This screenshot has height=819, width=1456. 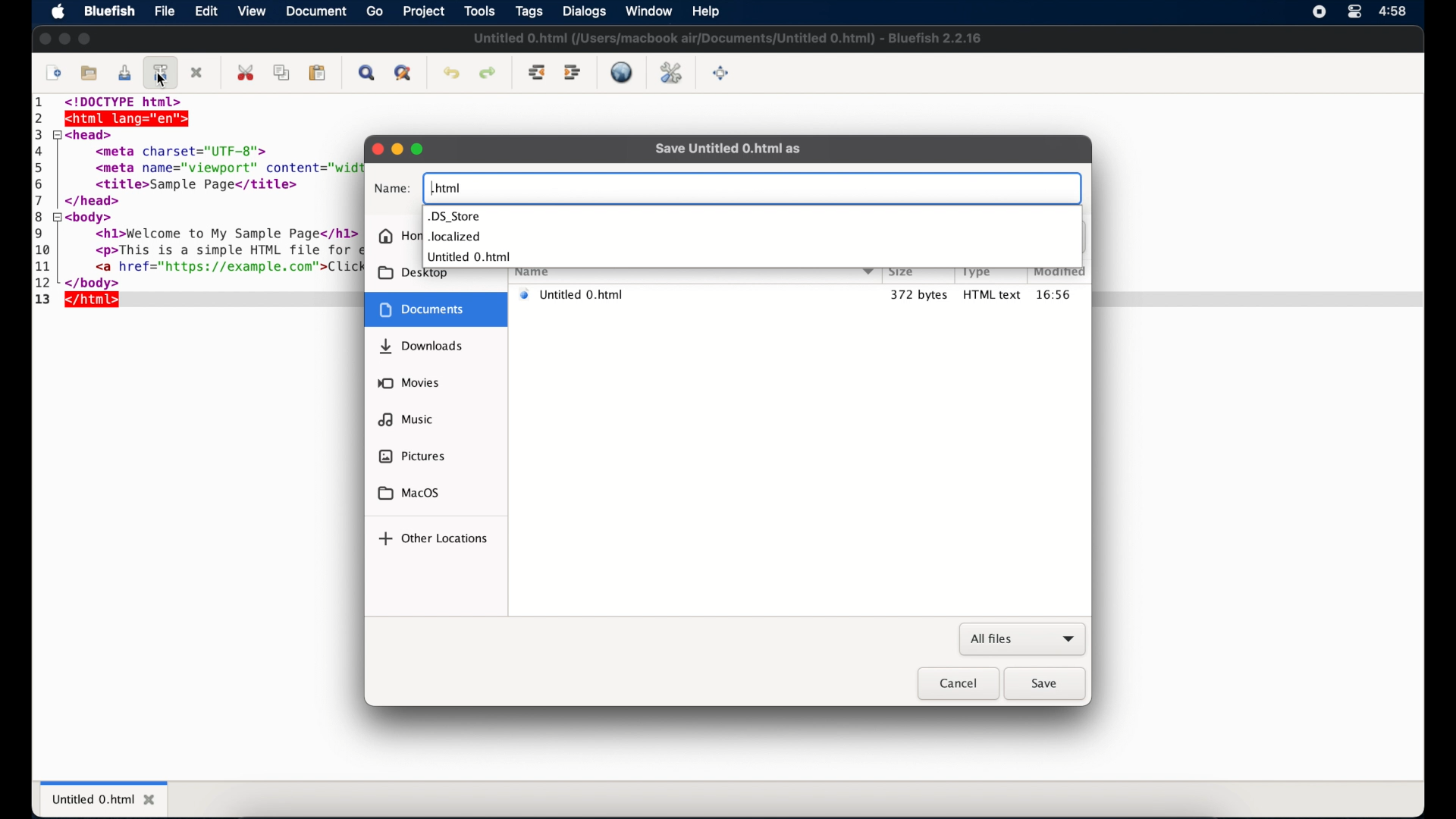 I want to click on <meta charset="UTF-8">, so click(x=187, y=149).